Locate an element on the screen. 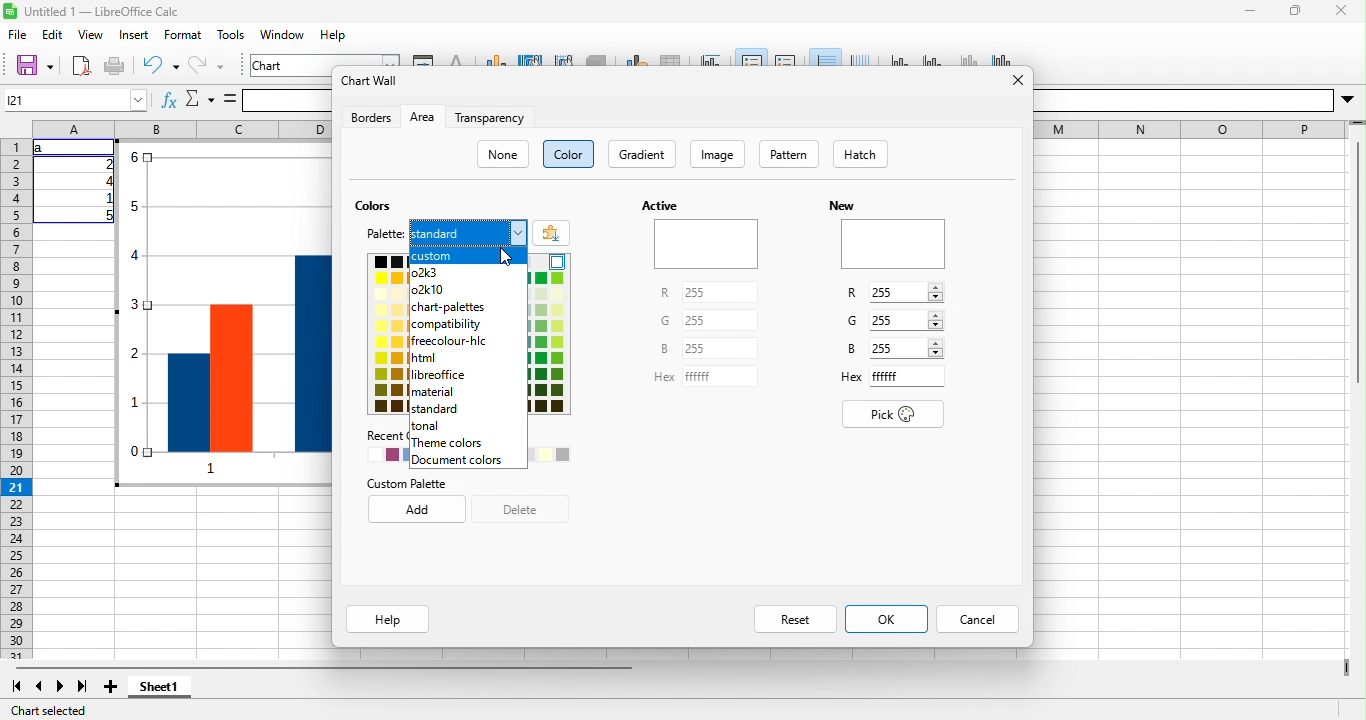  1 is located at coordinates (106, 198).